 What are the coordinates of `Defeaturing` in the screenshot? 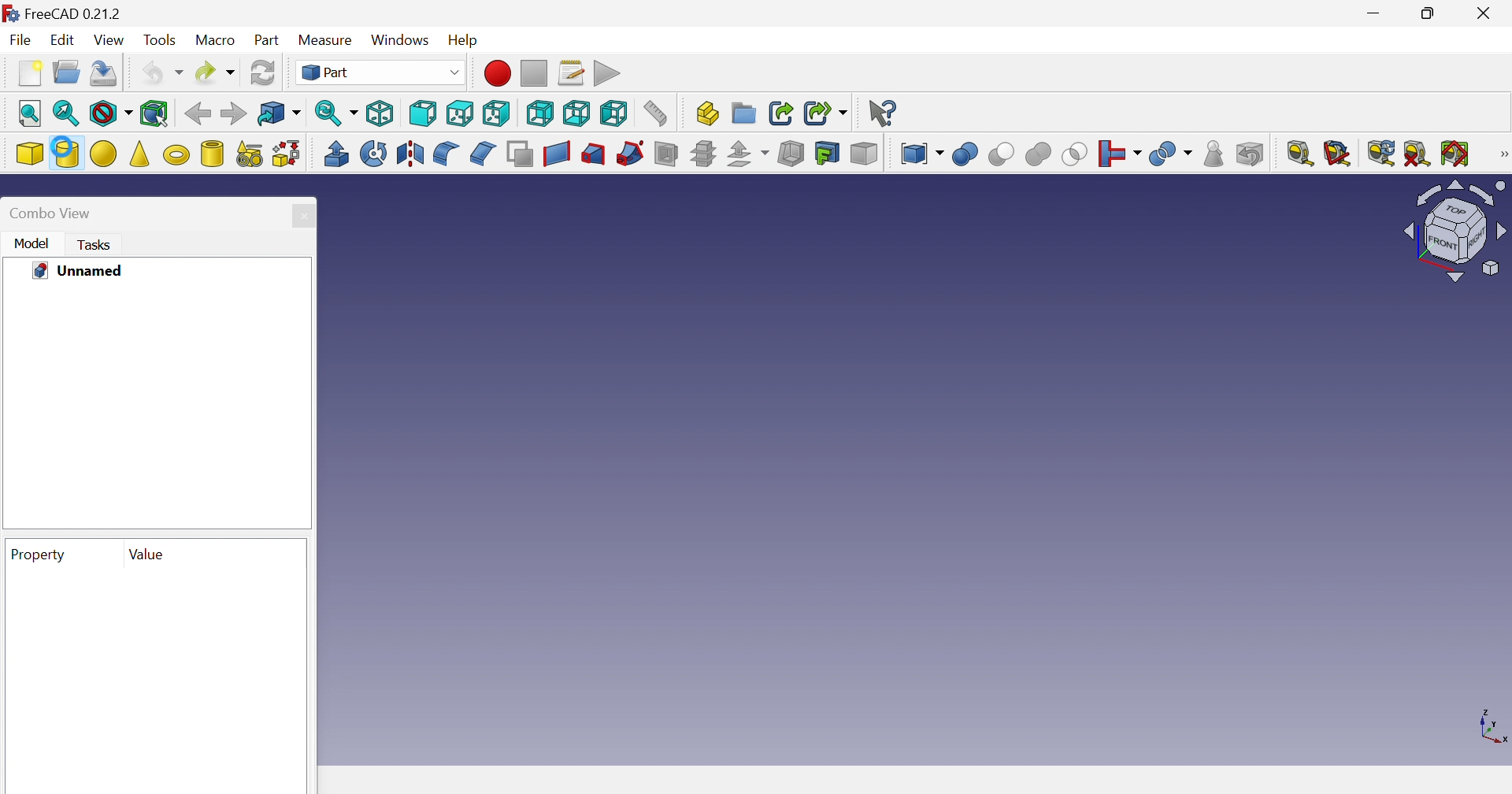 It's located at (1249, 154).